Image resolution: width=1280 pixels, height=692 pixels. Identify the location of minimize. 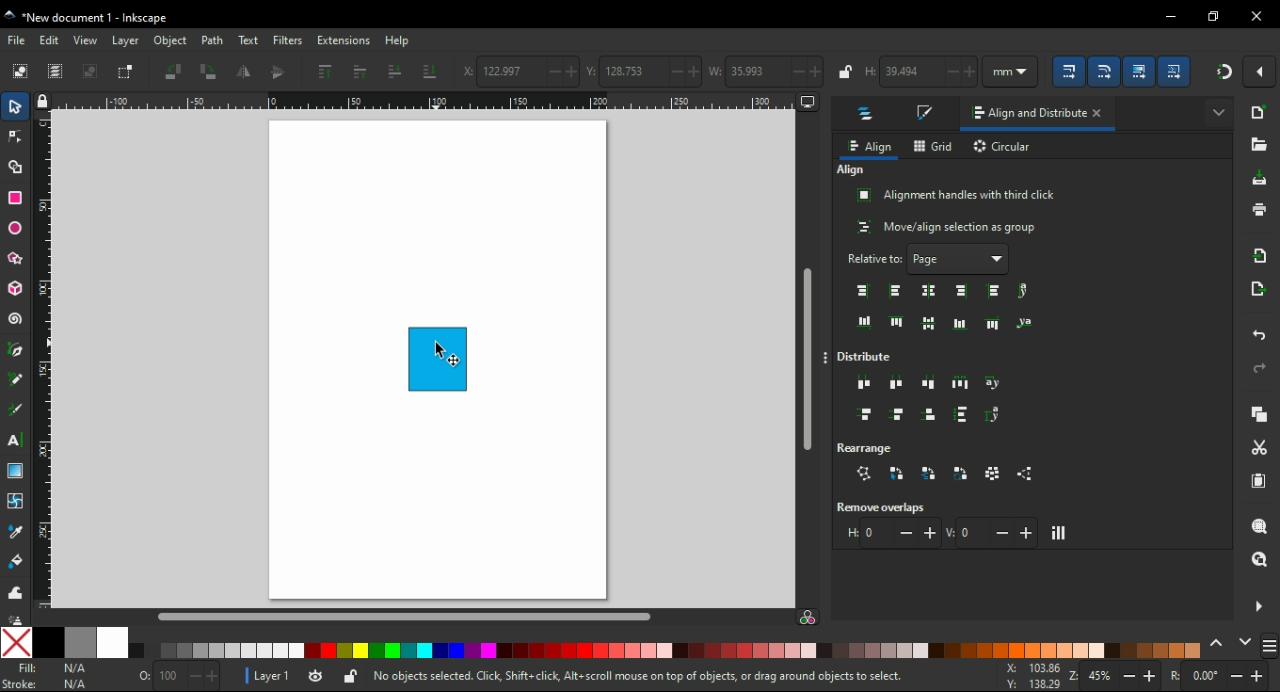
(1168, 17).